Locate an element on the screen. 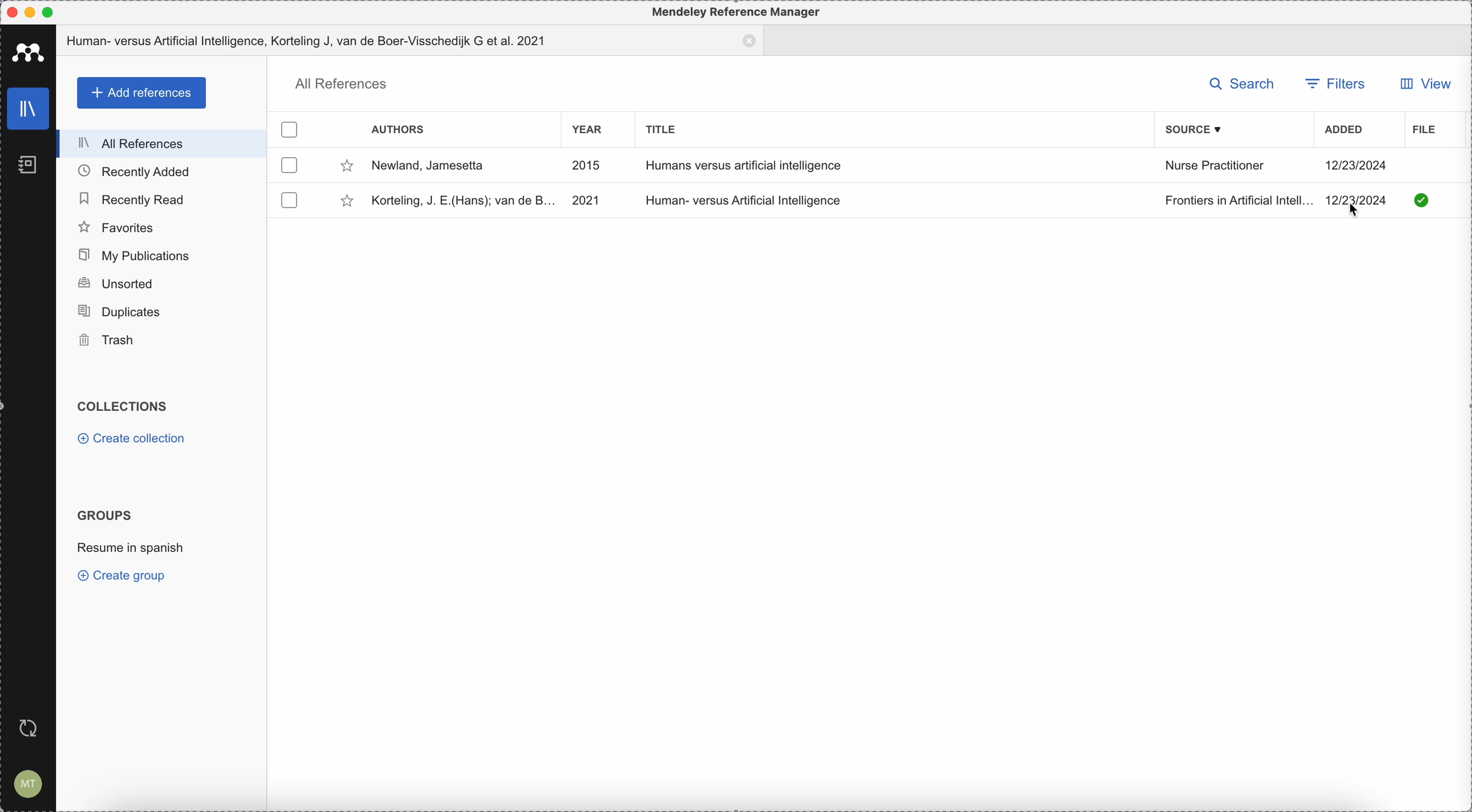  Human versus Artificial Intelligence, Korteling J; van de Boer-Visschedjk G et al. 2021 is located at coordinates (411, 41).